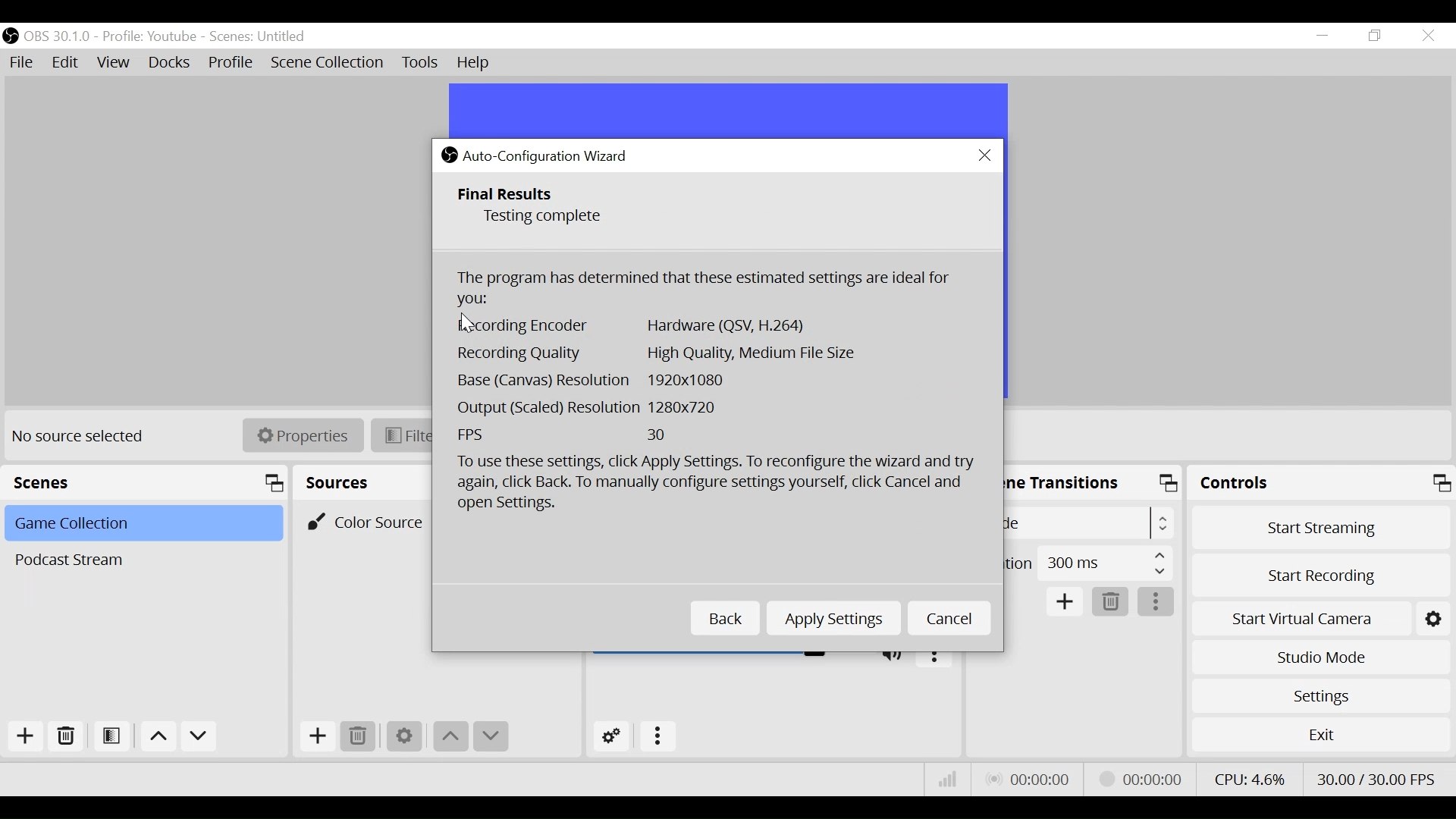 This screenshot has height=819, width=1456. Describe the element at coordinates (1144, 779) in the screenshot. I see `Stream ` at that location.